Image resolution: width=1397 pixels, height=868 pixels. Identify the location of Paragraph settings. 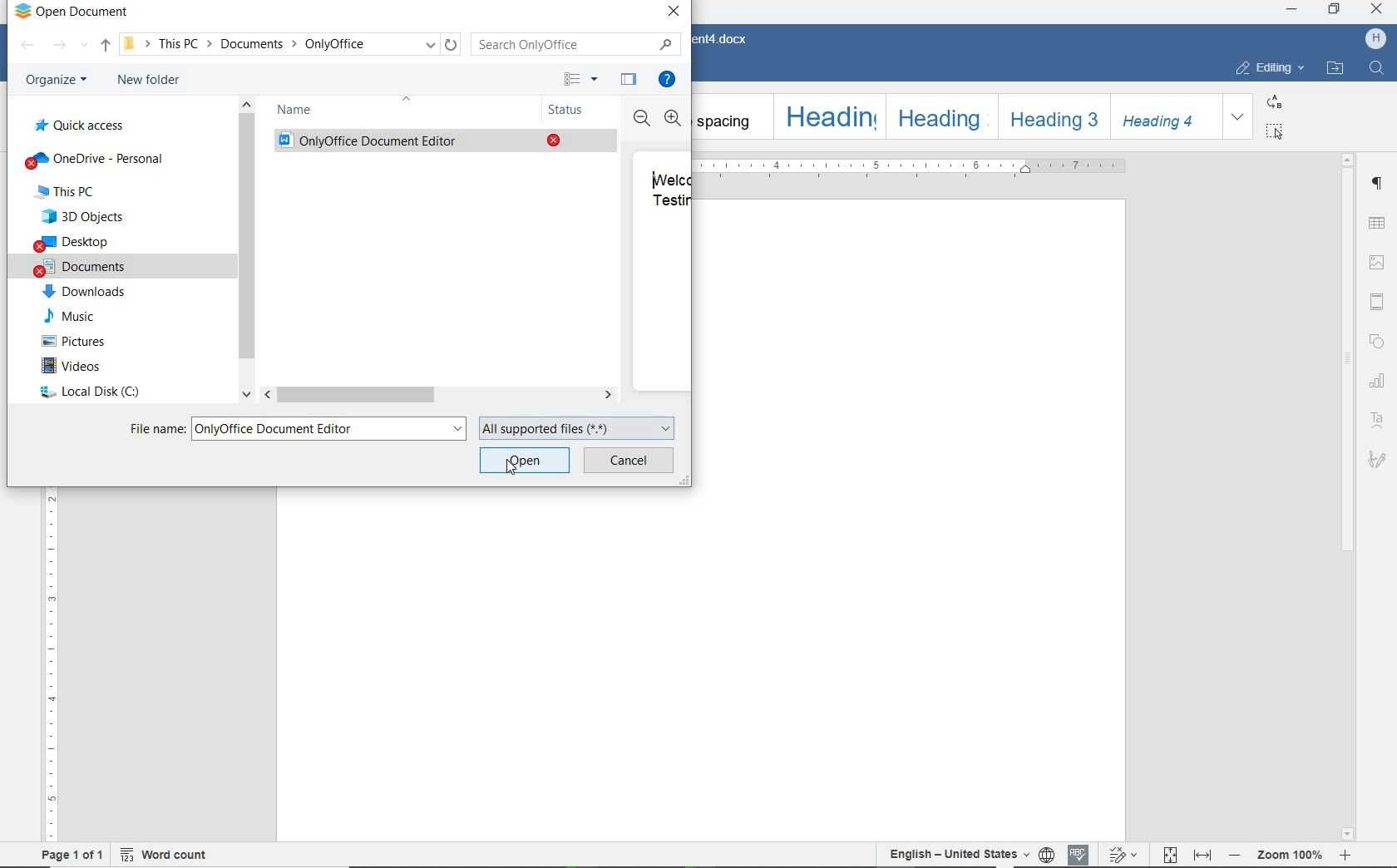
(1379, 184).